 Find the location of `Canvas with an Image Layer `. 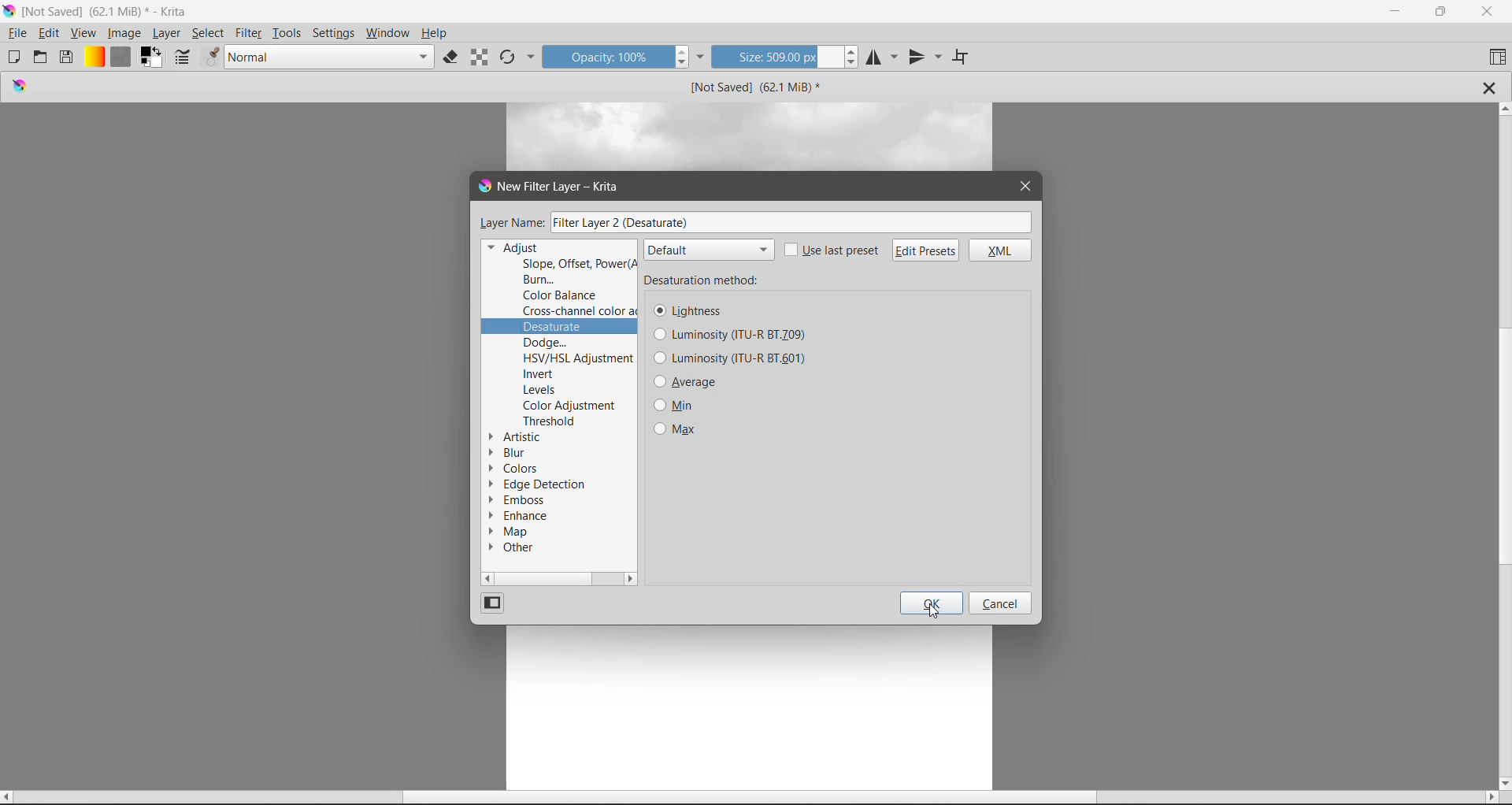

Canvas with an Image Layer  is located at coordinates (752, 707).